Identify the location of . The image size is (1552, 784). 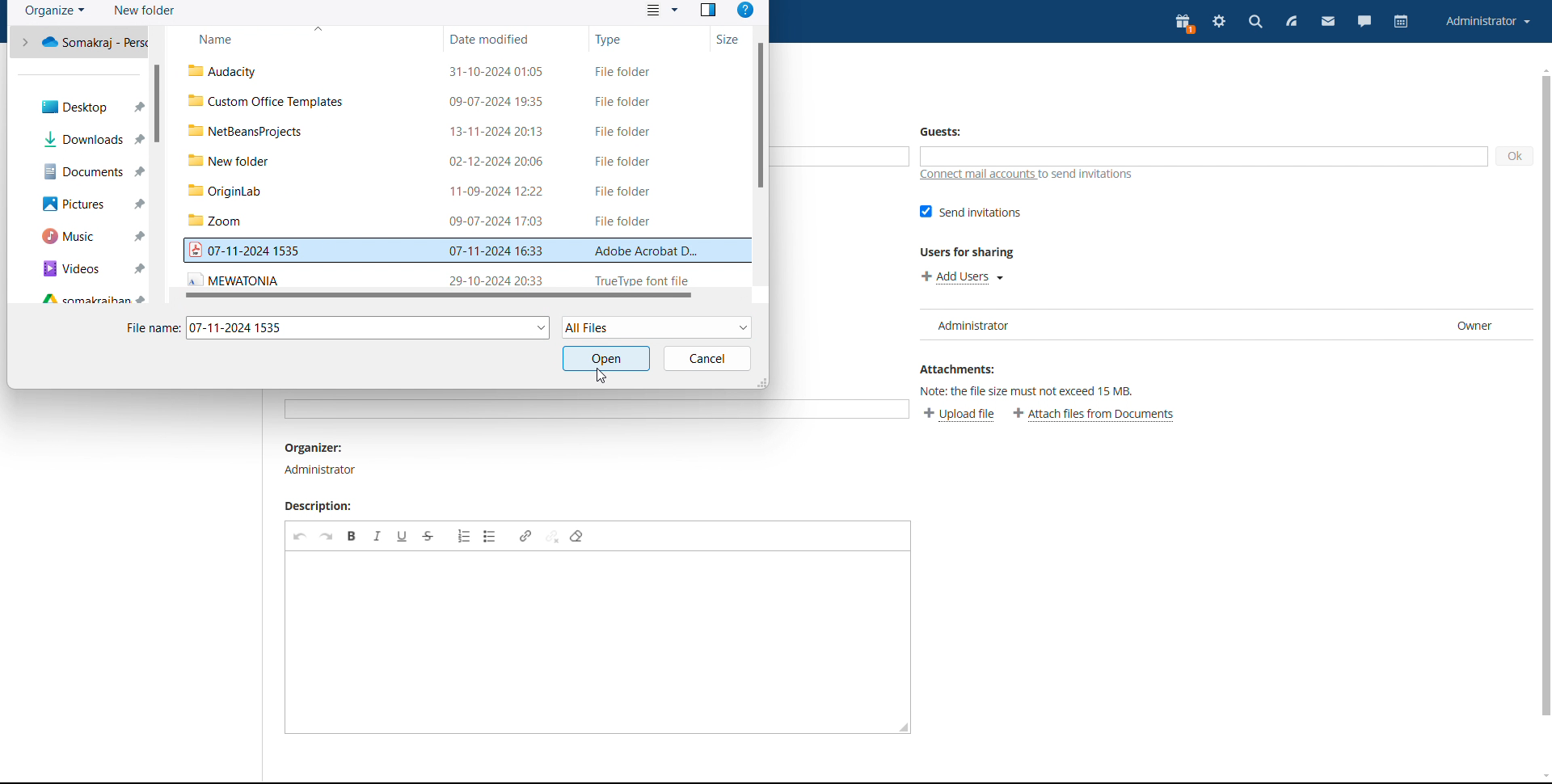
(453, 191).